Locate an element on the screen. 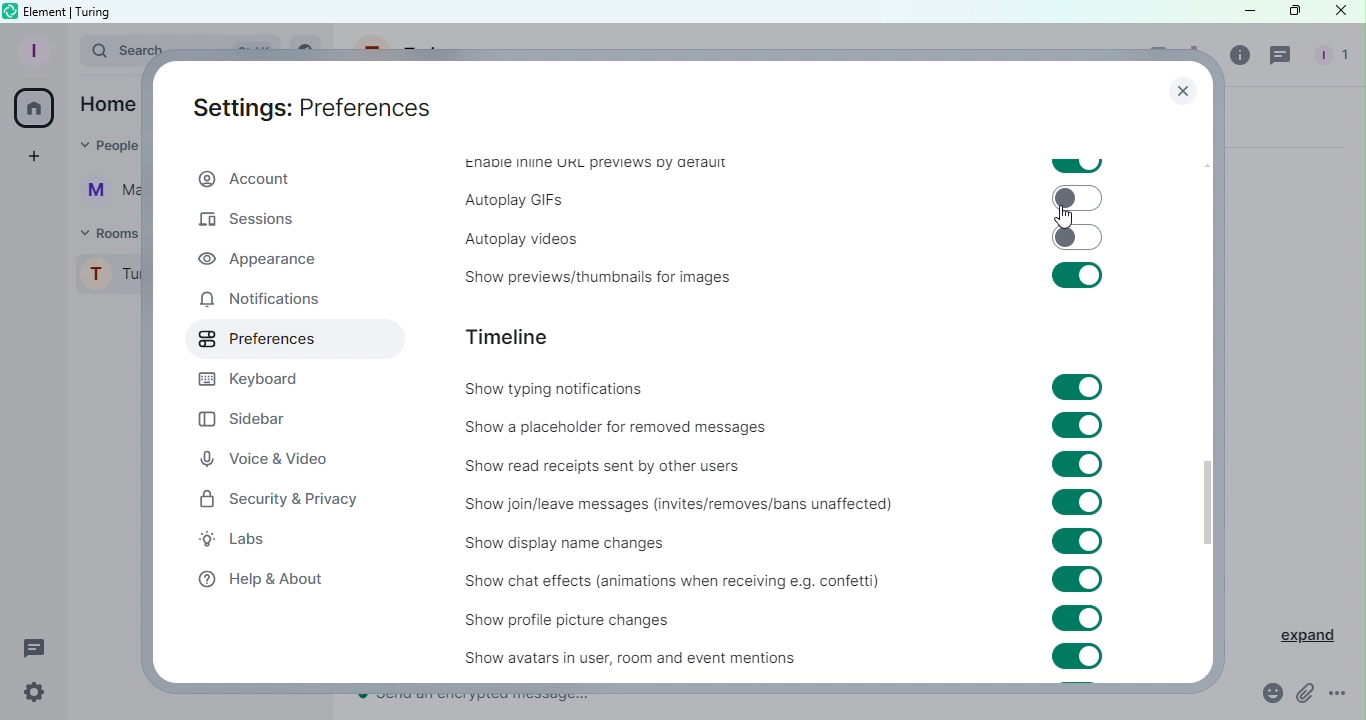 The height and width of the screenshot is (720, 1366). Toggle is located at coordinates (1077, 276).